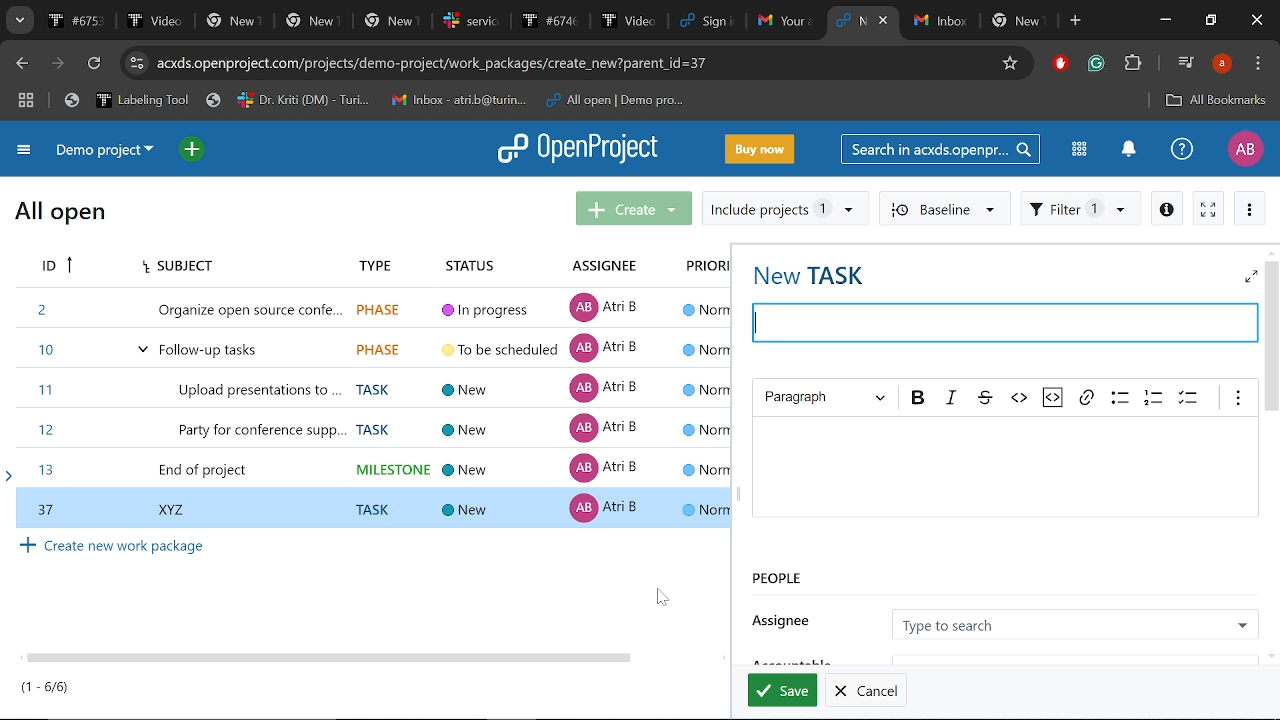 The height and width of the screenshot is (720, 1280). Describe the element at coordinates (894, 581) in the screenshot. I see `people` at that location.